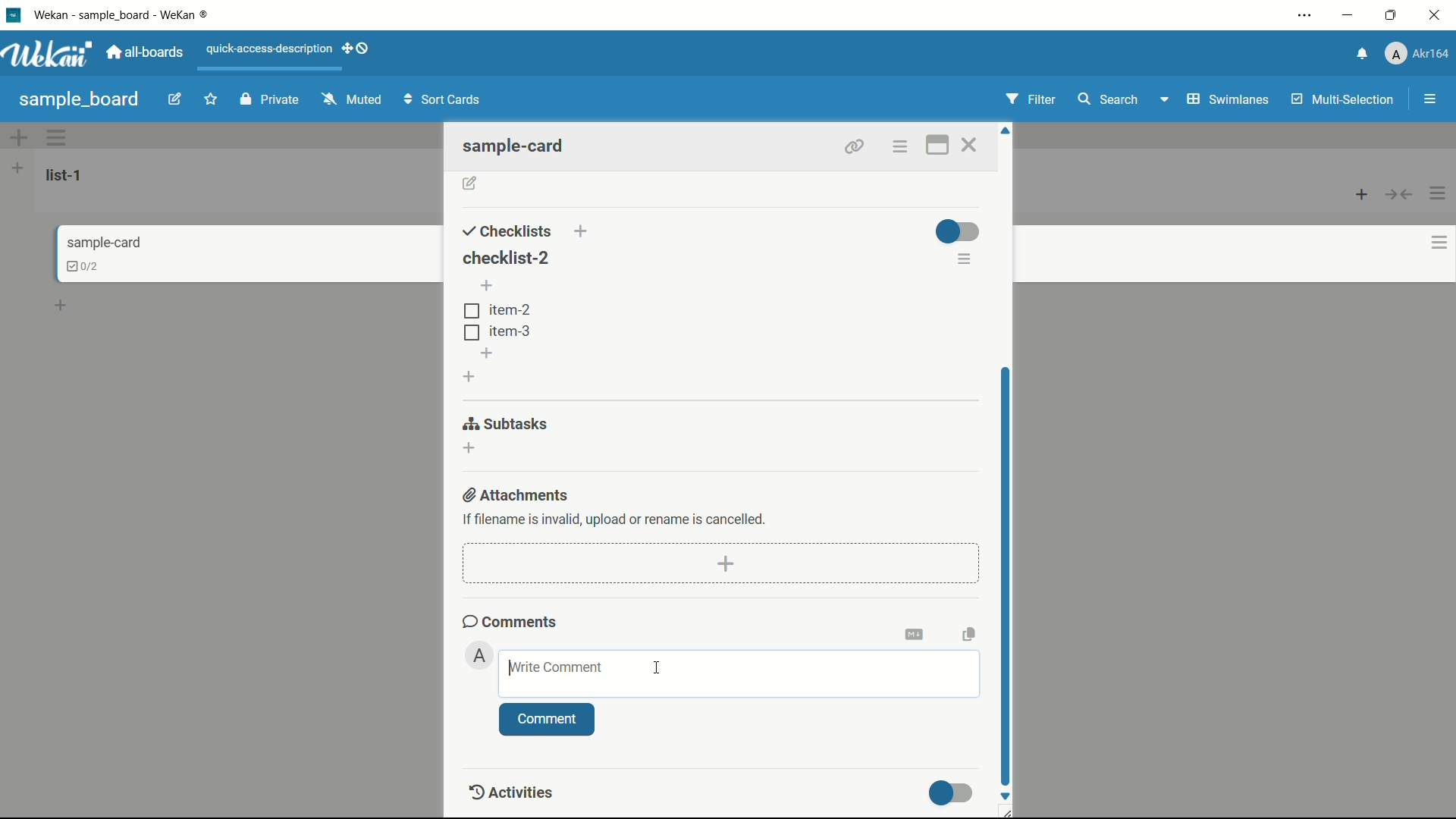  Describe the element at coordinates (1400, 196) in the screenshot. I see `collapse` at that location.